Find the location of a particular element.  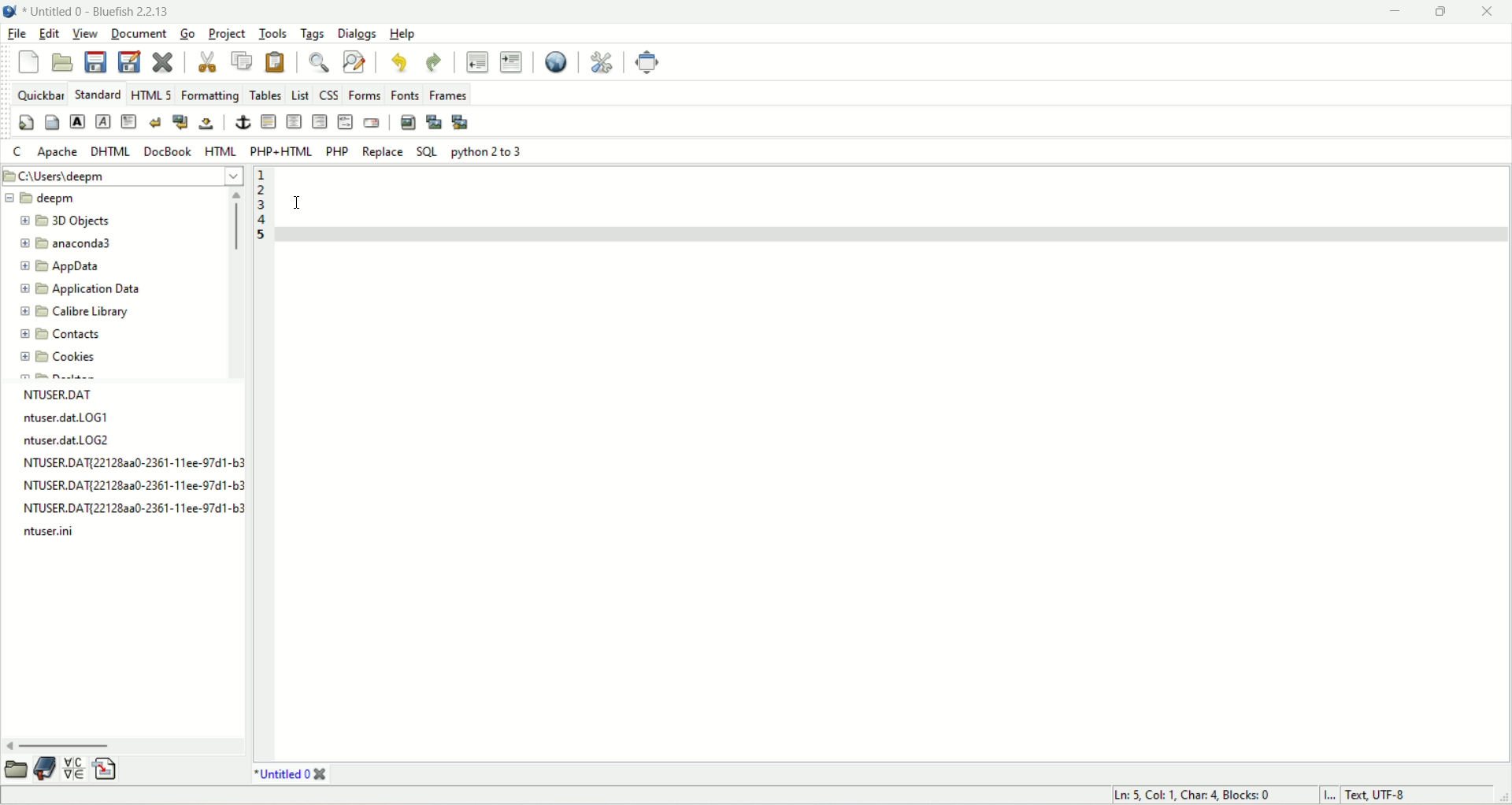

quickbar is located at coordinates (39, 96).